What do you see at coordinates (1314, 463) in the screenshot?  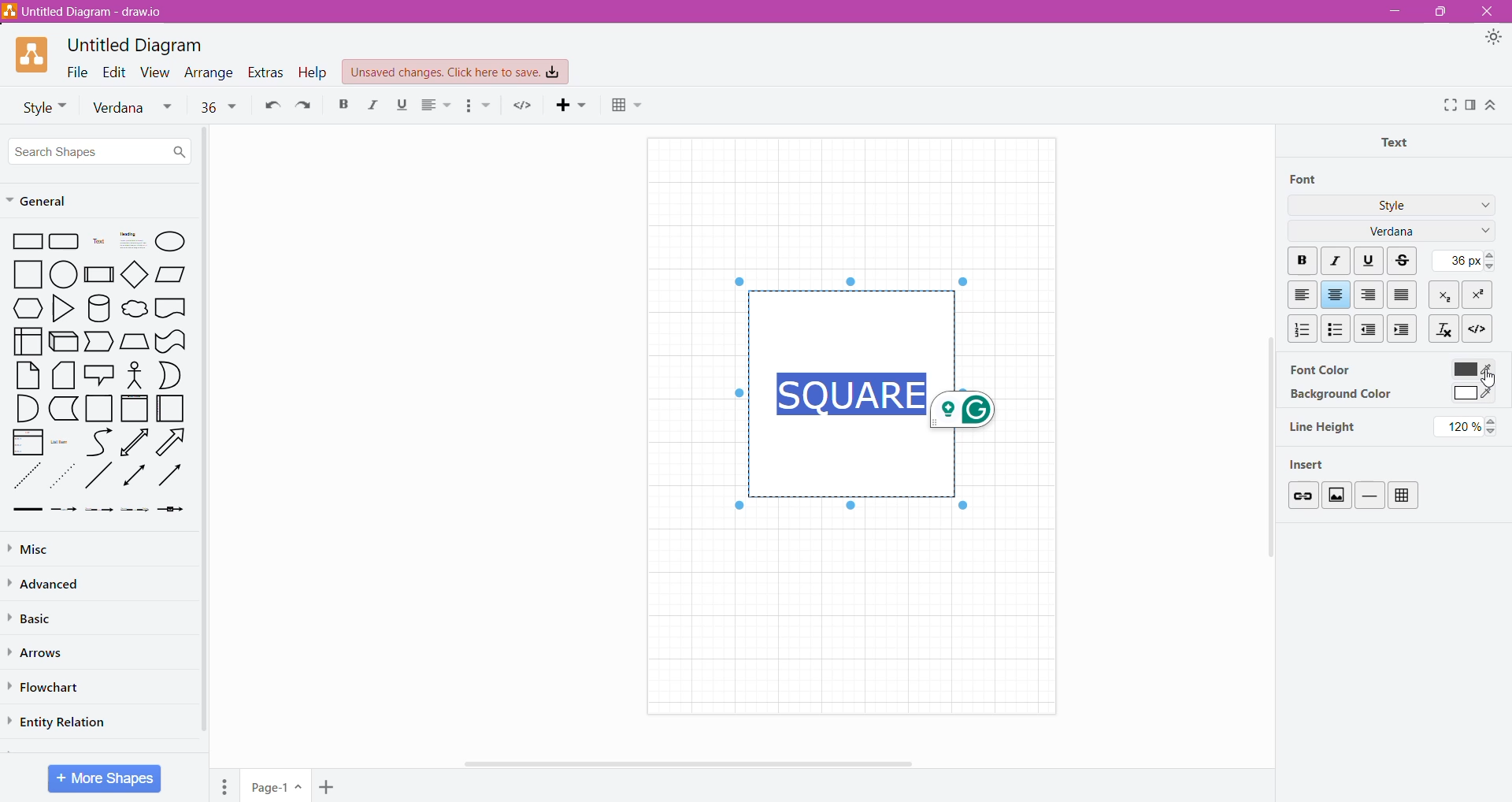 I see `Insert` at bounding box center [1314, 463].